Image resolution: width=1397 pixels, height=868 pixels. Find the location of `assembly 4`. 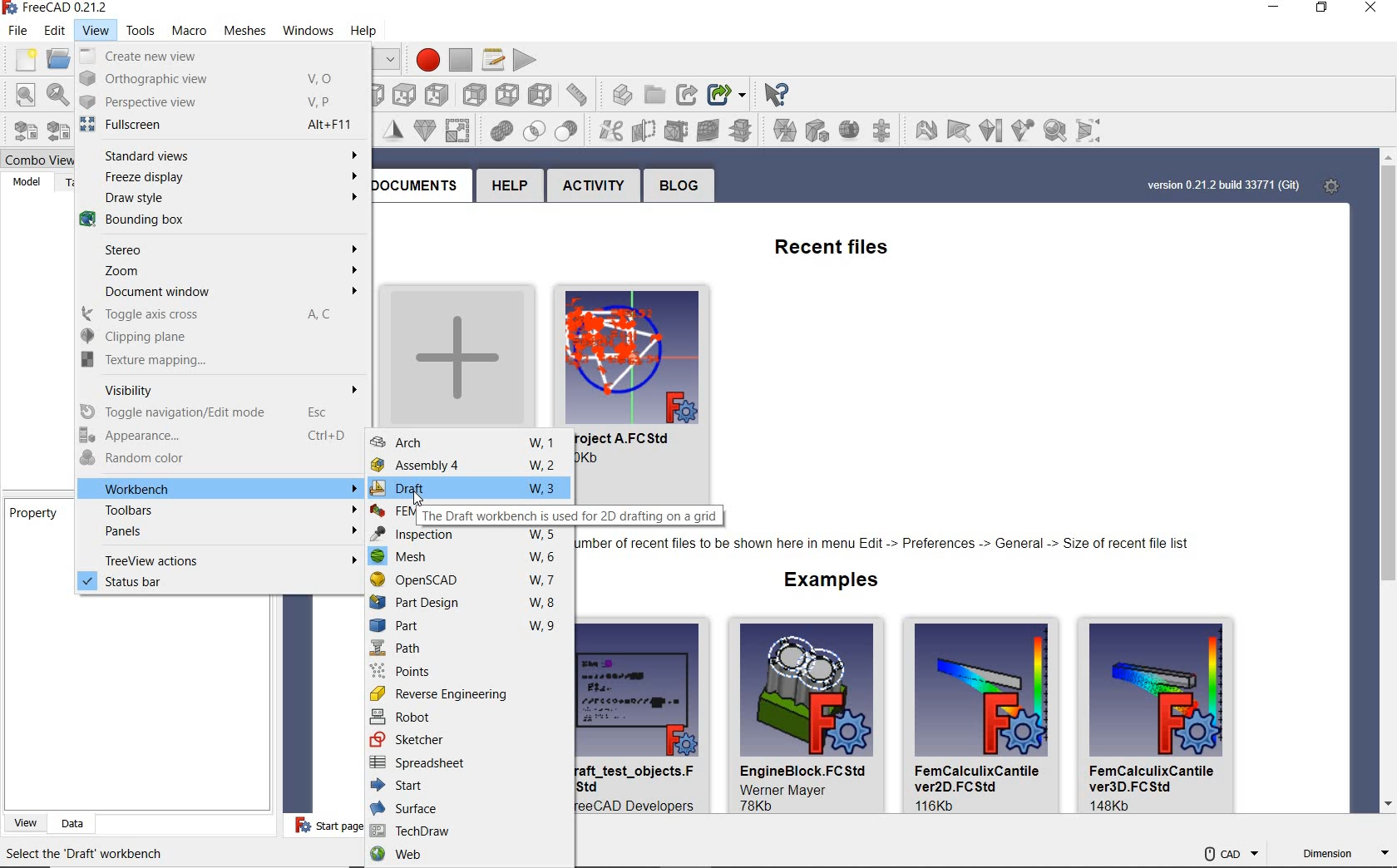

assembly 4 is located at coordinates (469, 466).